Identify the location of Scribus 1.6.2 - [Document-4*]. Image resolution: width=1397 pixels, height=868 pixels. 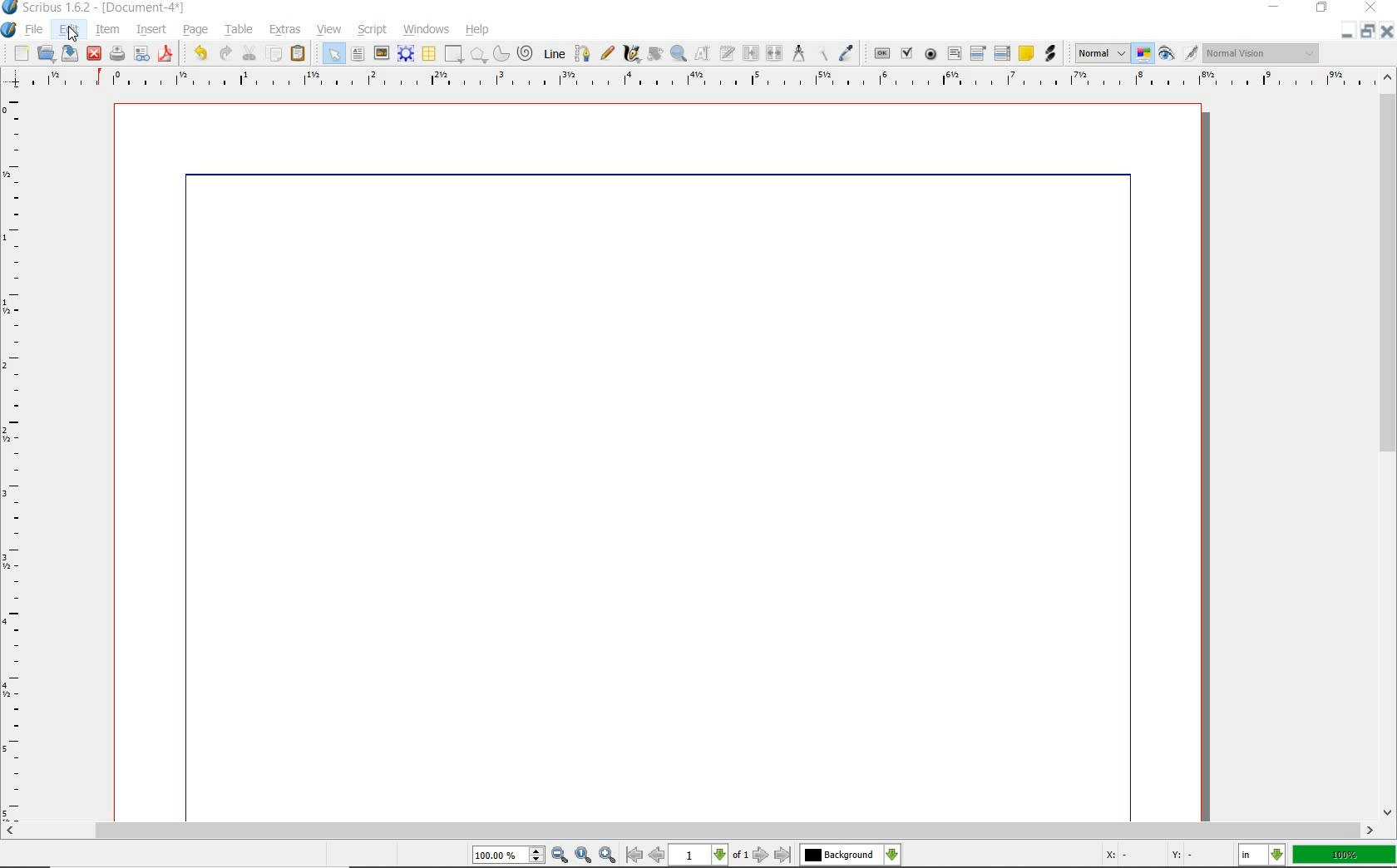
(95, 8).